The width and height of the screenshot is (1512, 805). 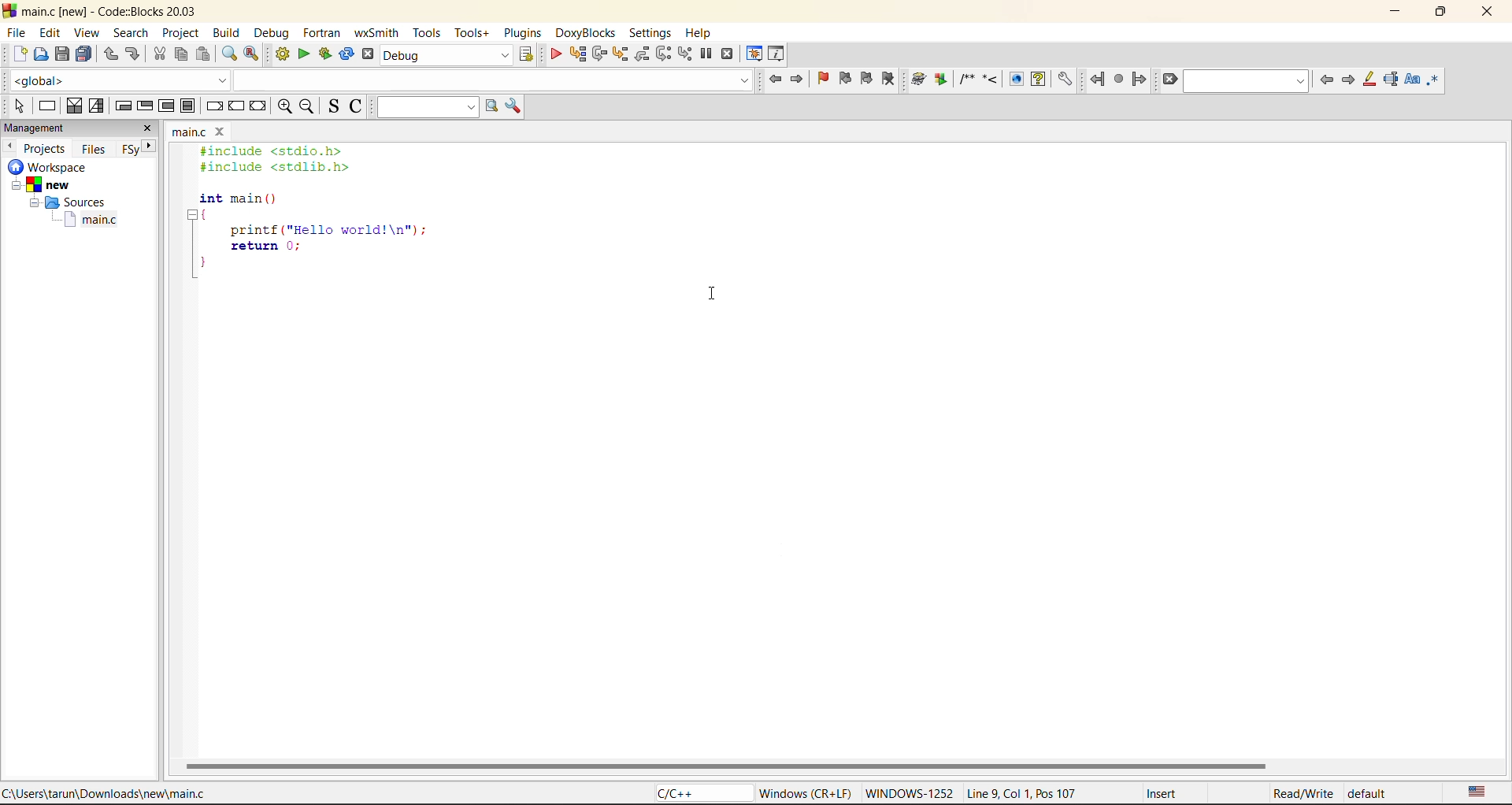 I want to click on break instruction, so click(x=216, y=108).